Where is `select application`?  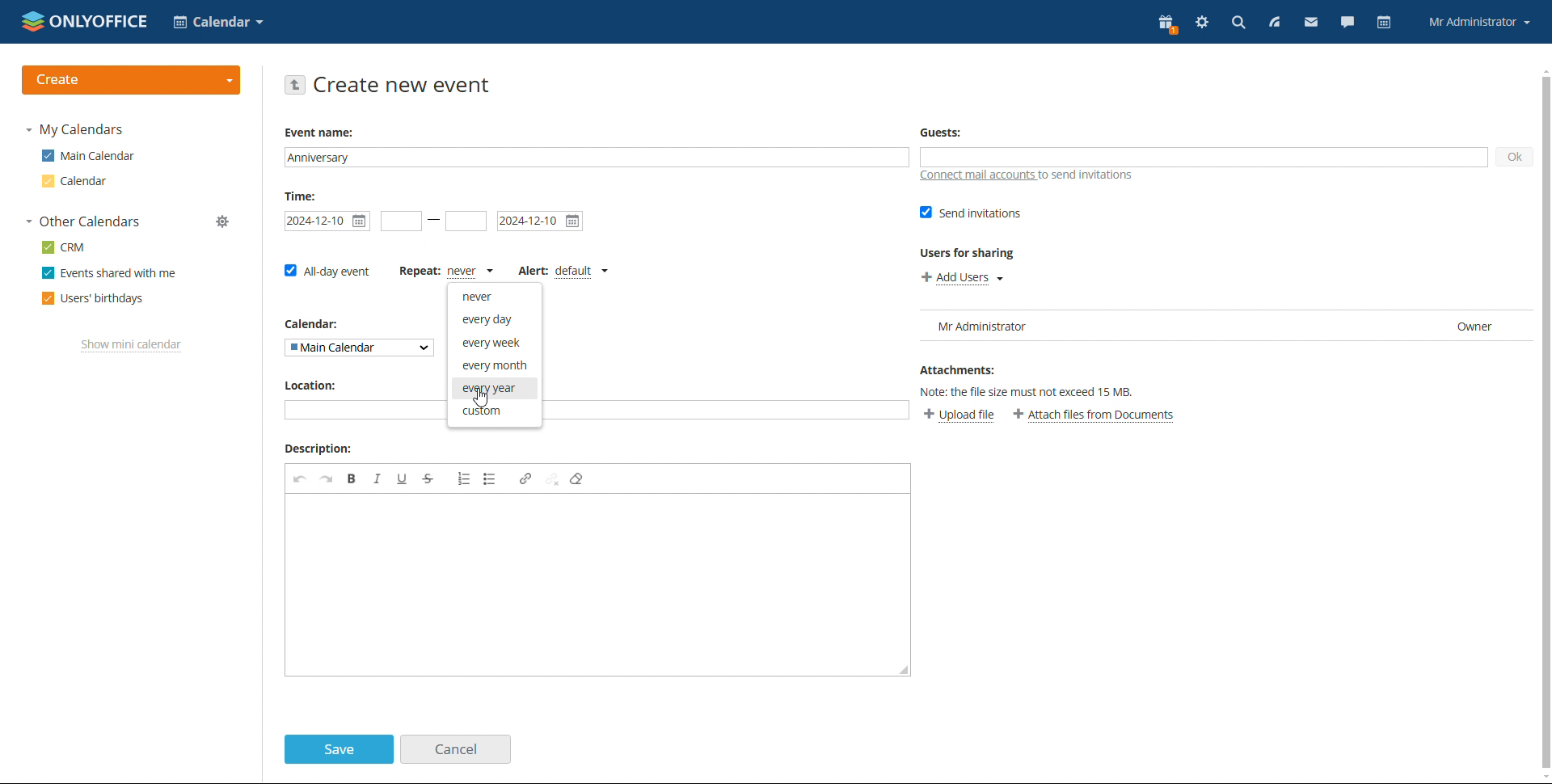
select application is located at coordinates (219, 22).